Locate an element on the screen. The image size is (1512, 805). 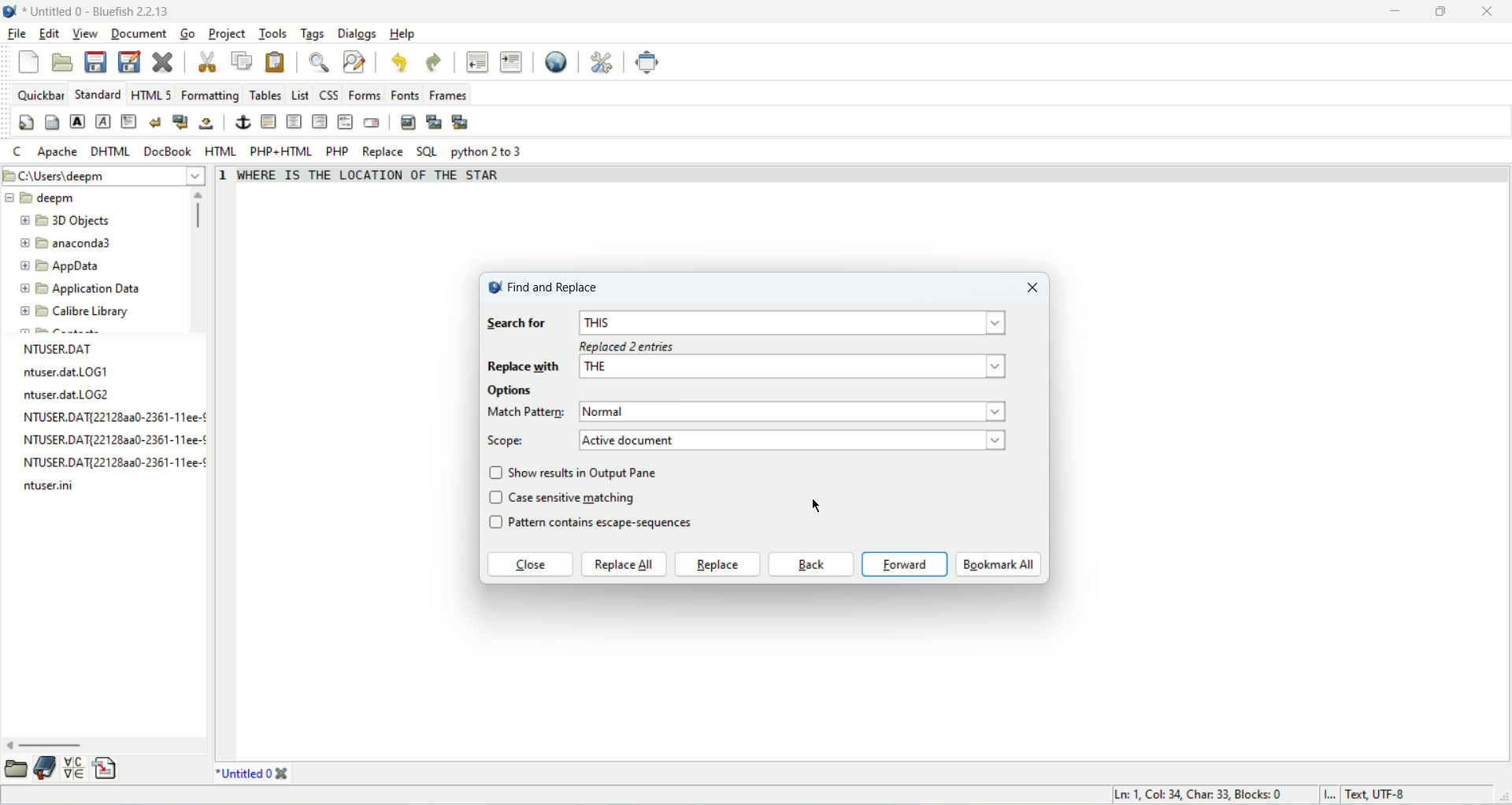
ntuser.data LOG2 is located at coordinates (69, 395).